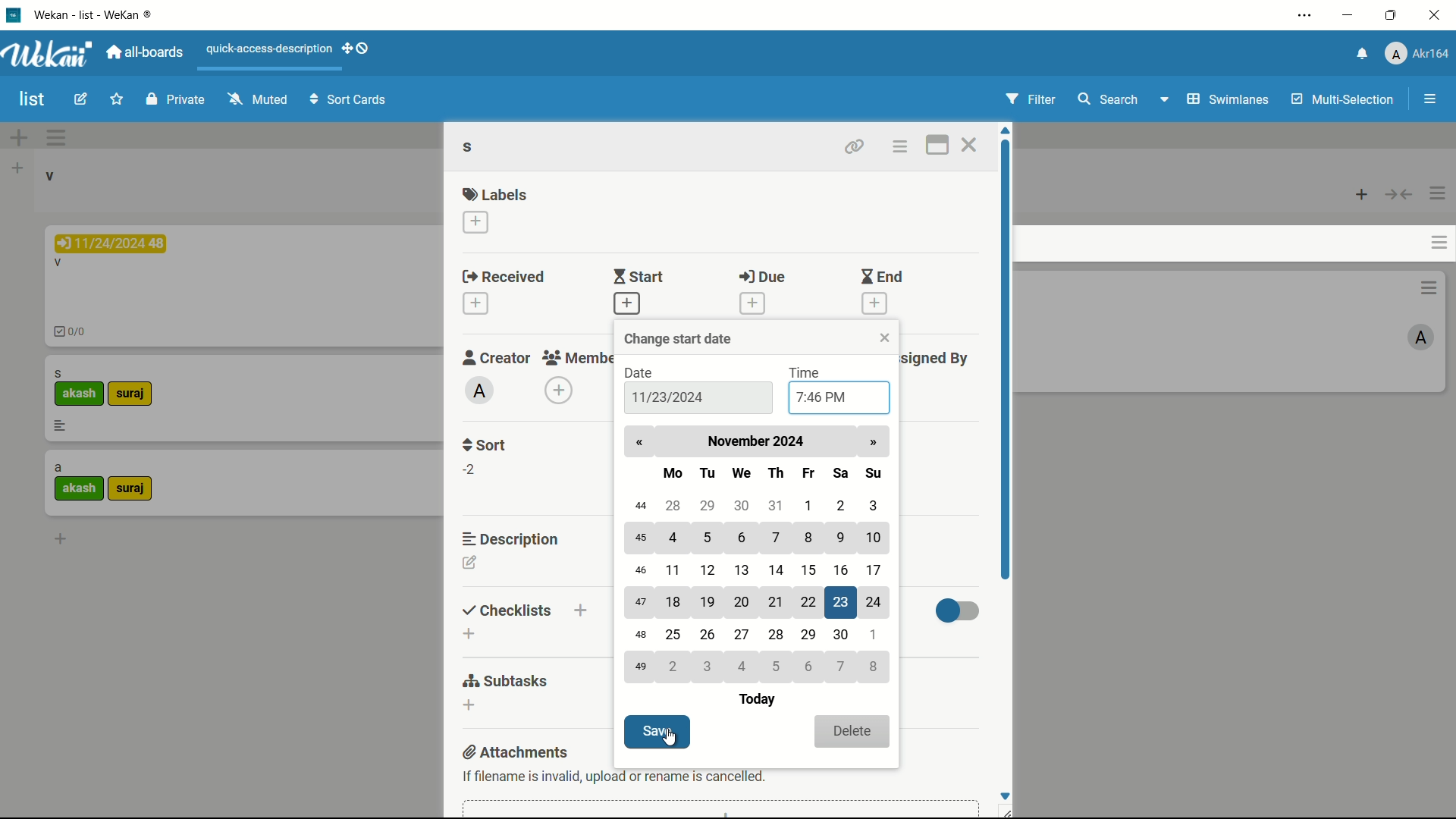 This screenshot has height=819, width=1456. I want to click on quick-access-description, so click(271, 49).